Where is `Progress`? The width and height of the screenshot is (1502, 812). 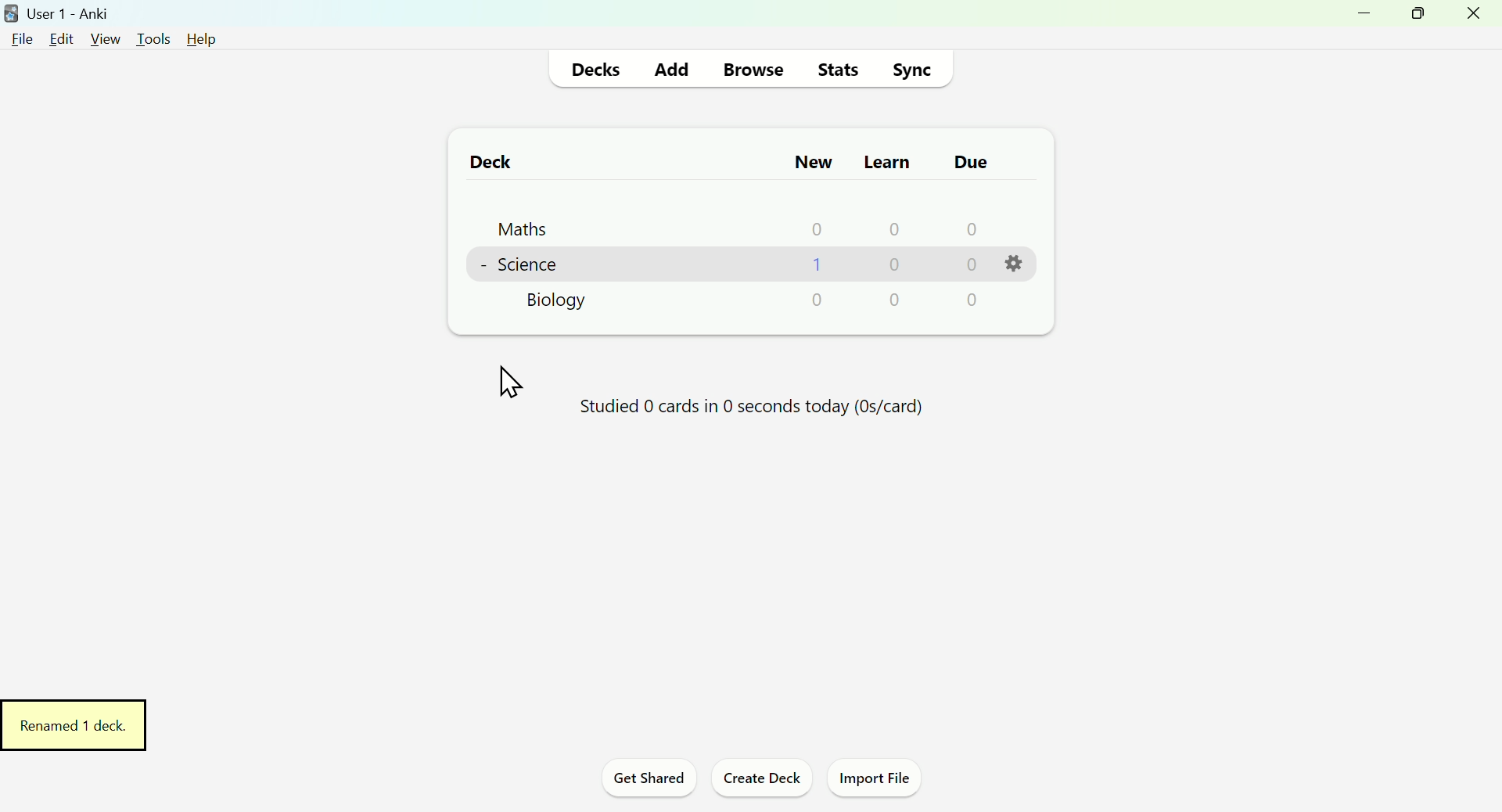
Progress is located at coordinates (742, 411).